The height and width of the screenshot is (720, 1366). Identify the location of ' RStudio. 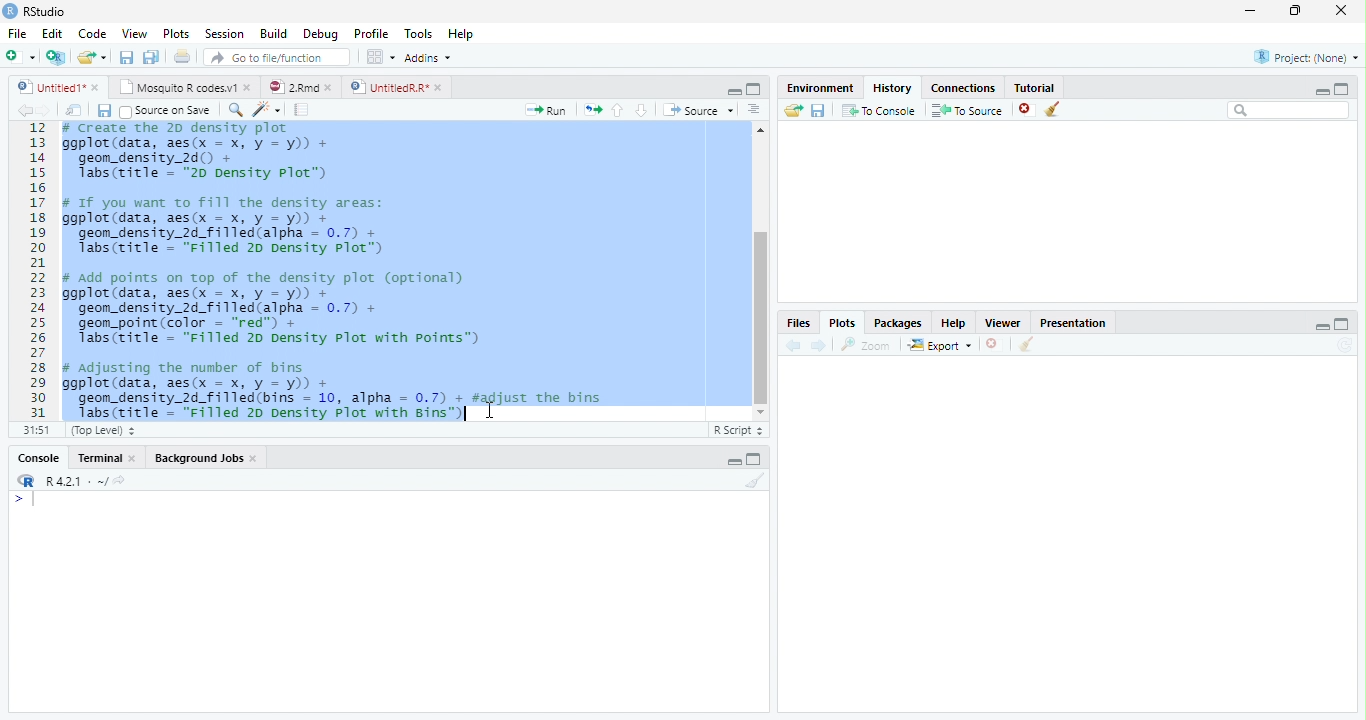
(34, 12).